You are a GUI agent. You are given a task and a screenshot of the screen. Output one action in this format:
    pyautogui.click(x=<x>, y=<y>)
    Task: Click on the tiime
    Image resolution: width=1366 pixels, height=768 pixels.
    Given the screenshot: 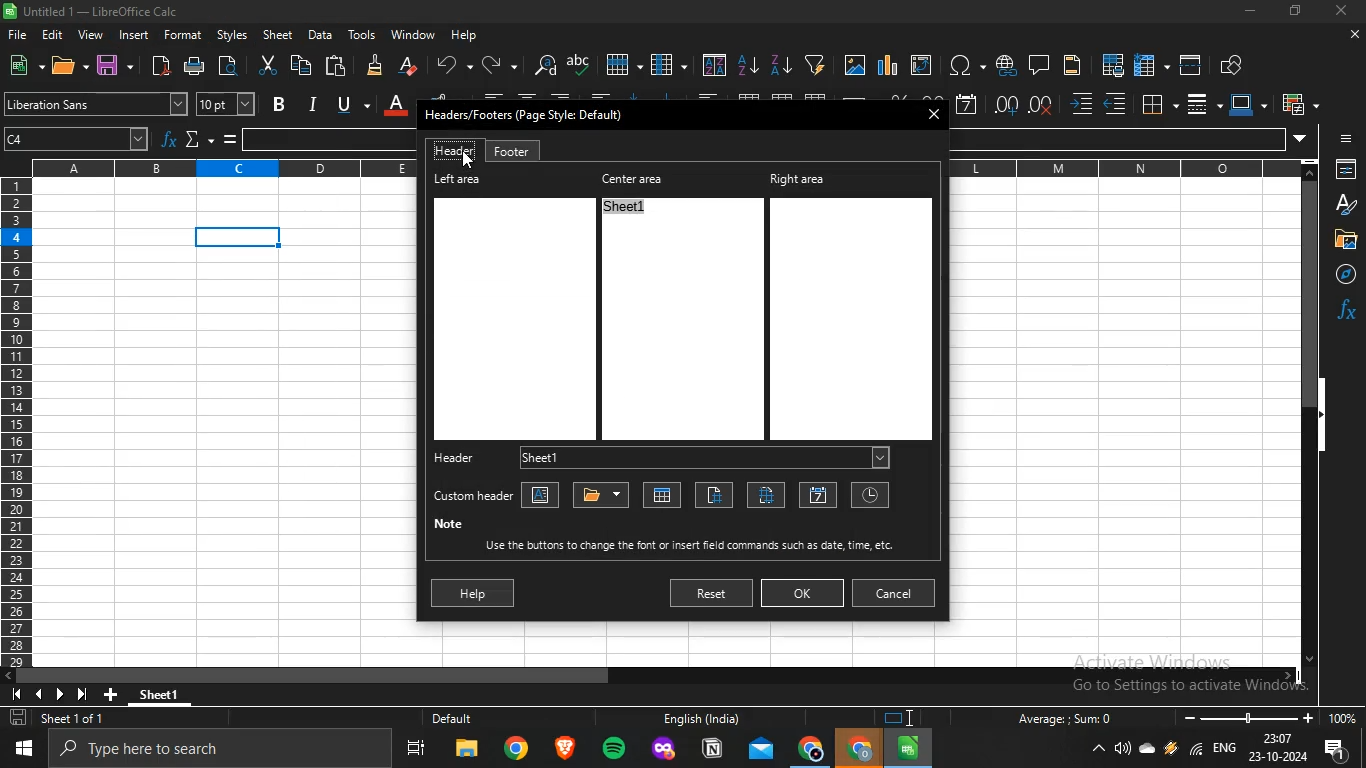 What is the action you would take?
    pyautogui.click(x=867, y=494)
    